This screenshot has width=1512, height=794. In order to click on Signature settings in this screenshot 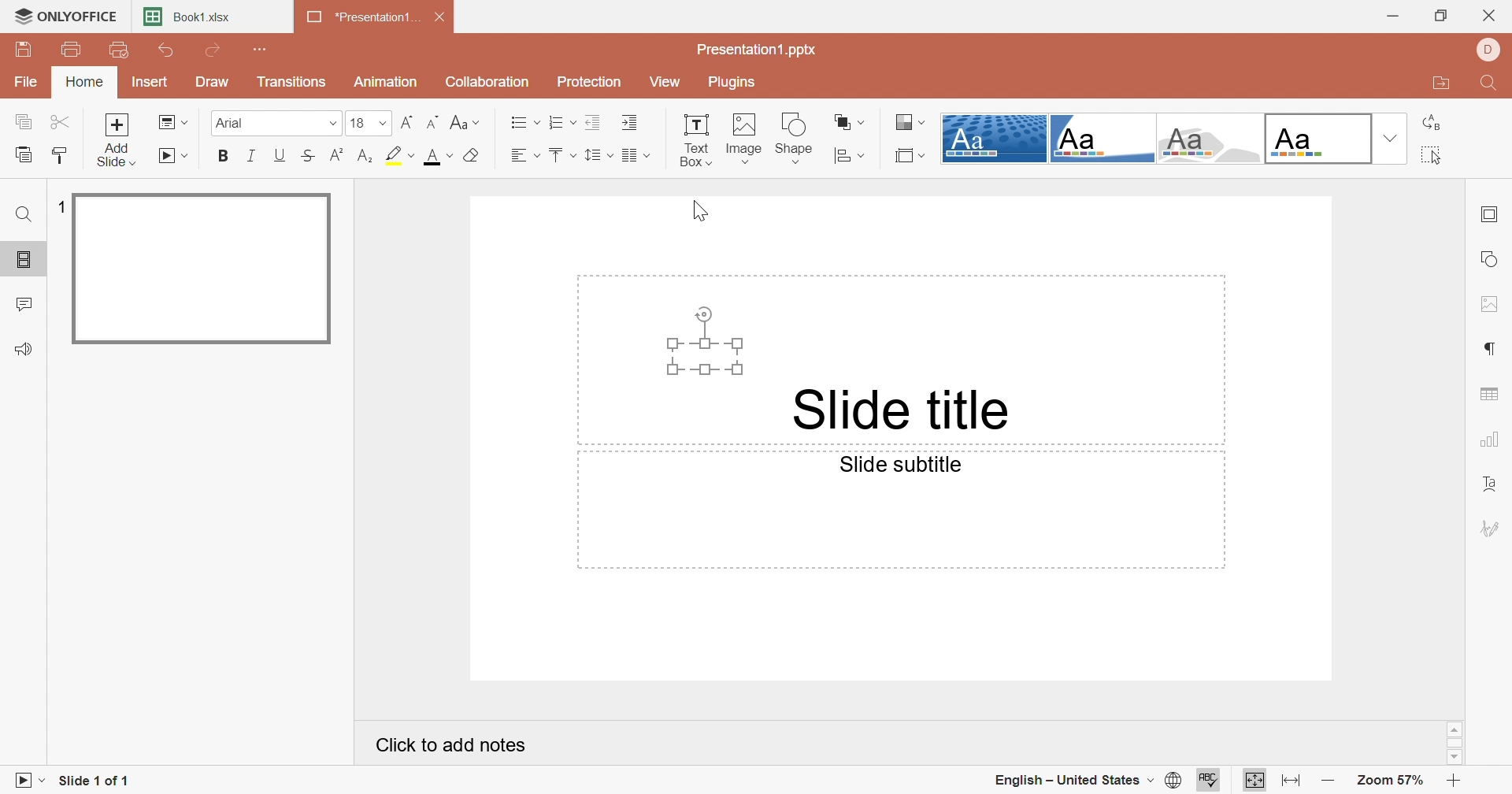, I will do `click(1492, 529)`.